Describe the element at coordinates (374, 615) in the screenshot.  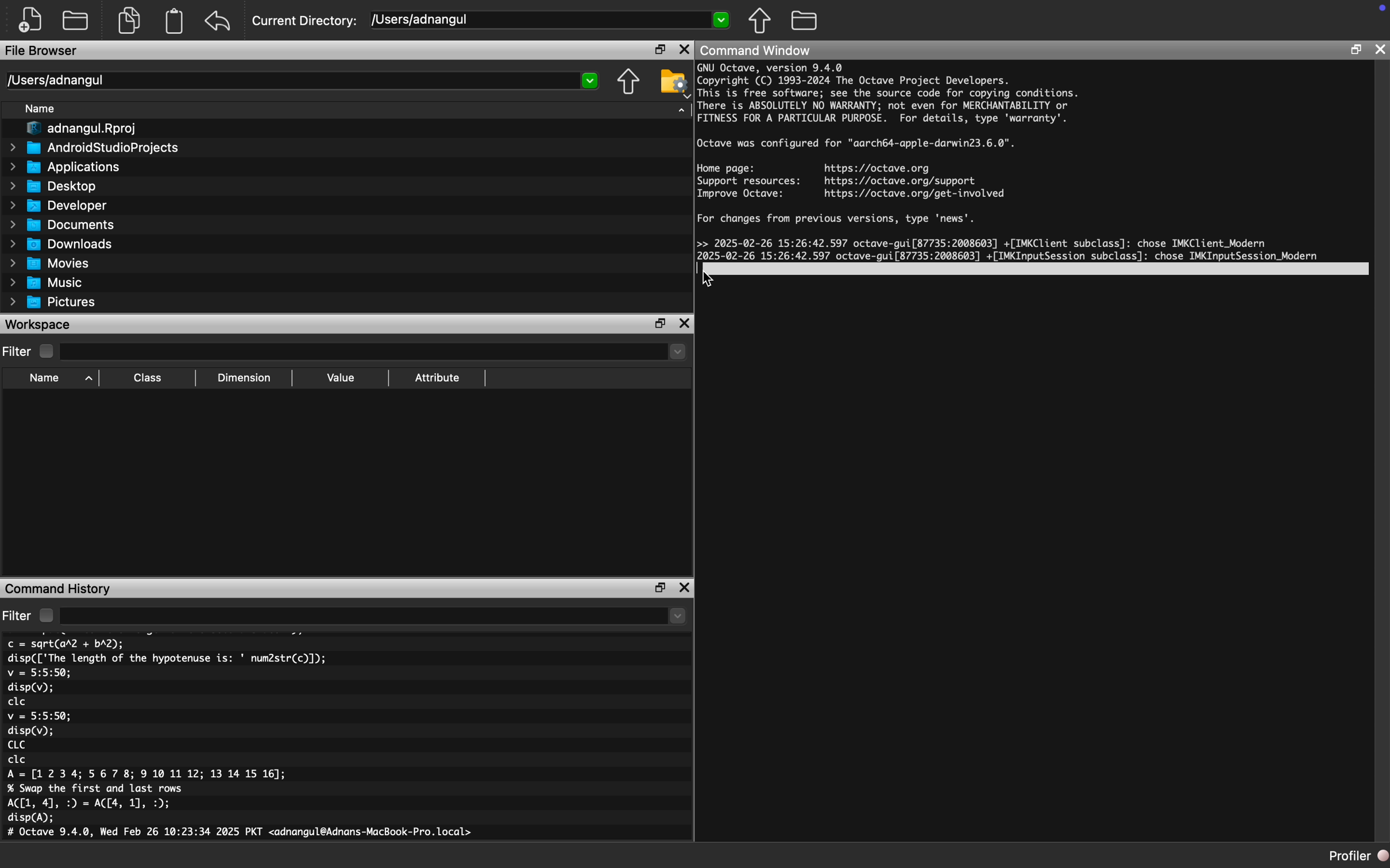
I see `dropdown` at that location.